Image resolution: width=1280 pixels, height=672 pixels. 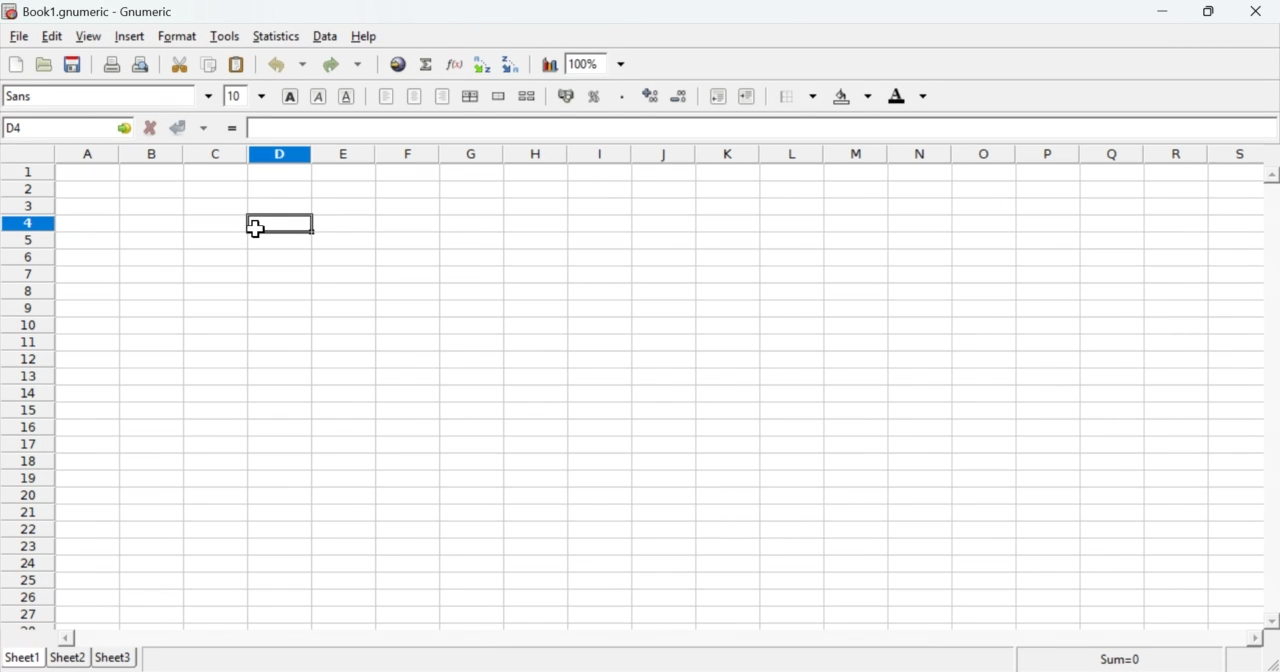 What do you see at coordinates (485, 64) in the screenshot?
I see `Sort ascending` at bounding box center [485, 64].